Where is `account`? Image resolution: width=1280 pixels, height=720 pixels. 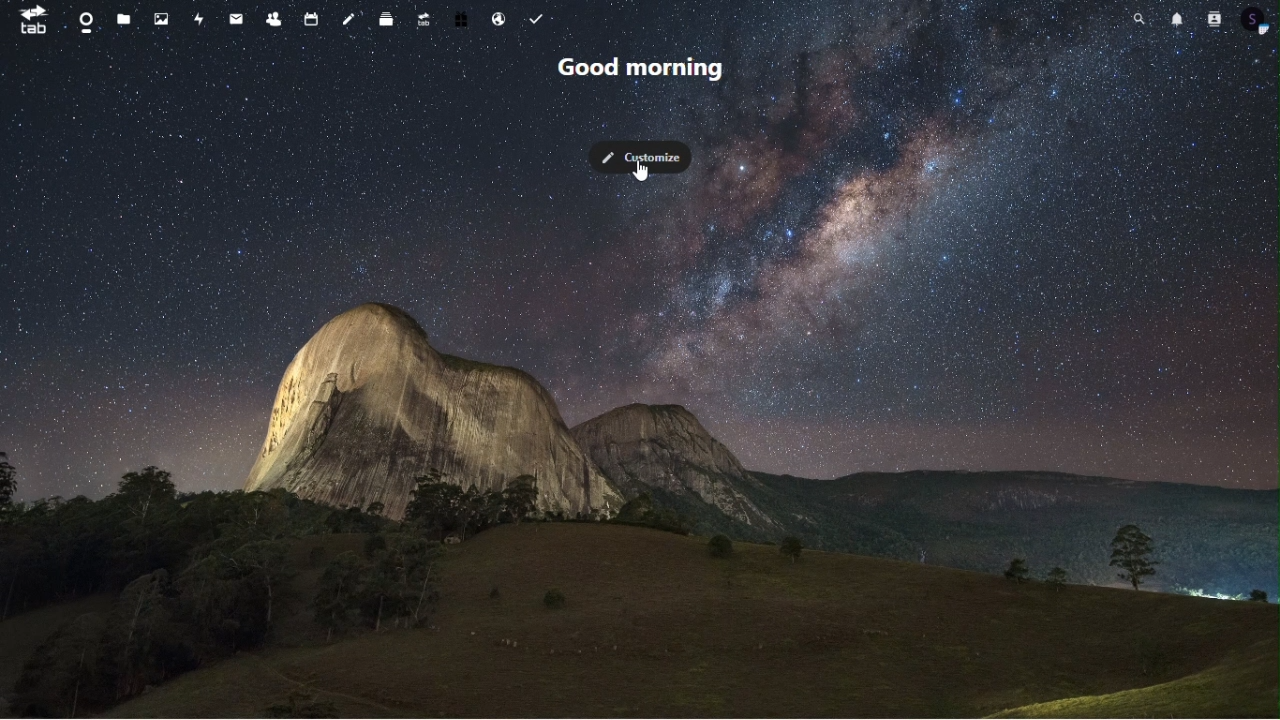
account is located at coordinates (1258, 18).